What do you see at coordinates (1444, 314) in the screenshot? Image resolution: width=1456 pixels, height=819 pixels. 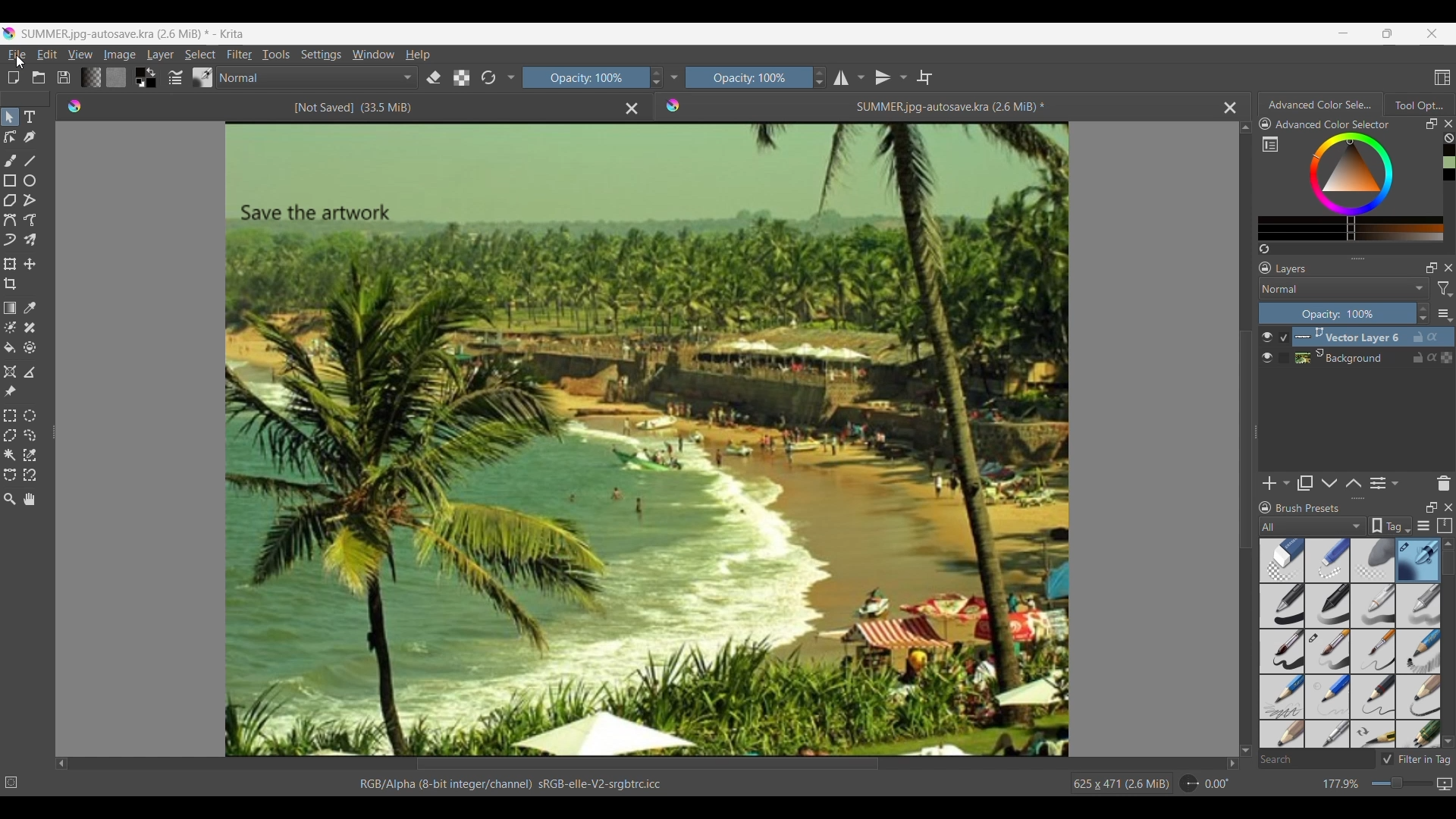 I see `More settings` at bounding box center [1444, 314].